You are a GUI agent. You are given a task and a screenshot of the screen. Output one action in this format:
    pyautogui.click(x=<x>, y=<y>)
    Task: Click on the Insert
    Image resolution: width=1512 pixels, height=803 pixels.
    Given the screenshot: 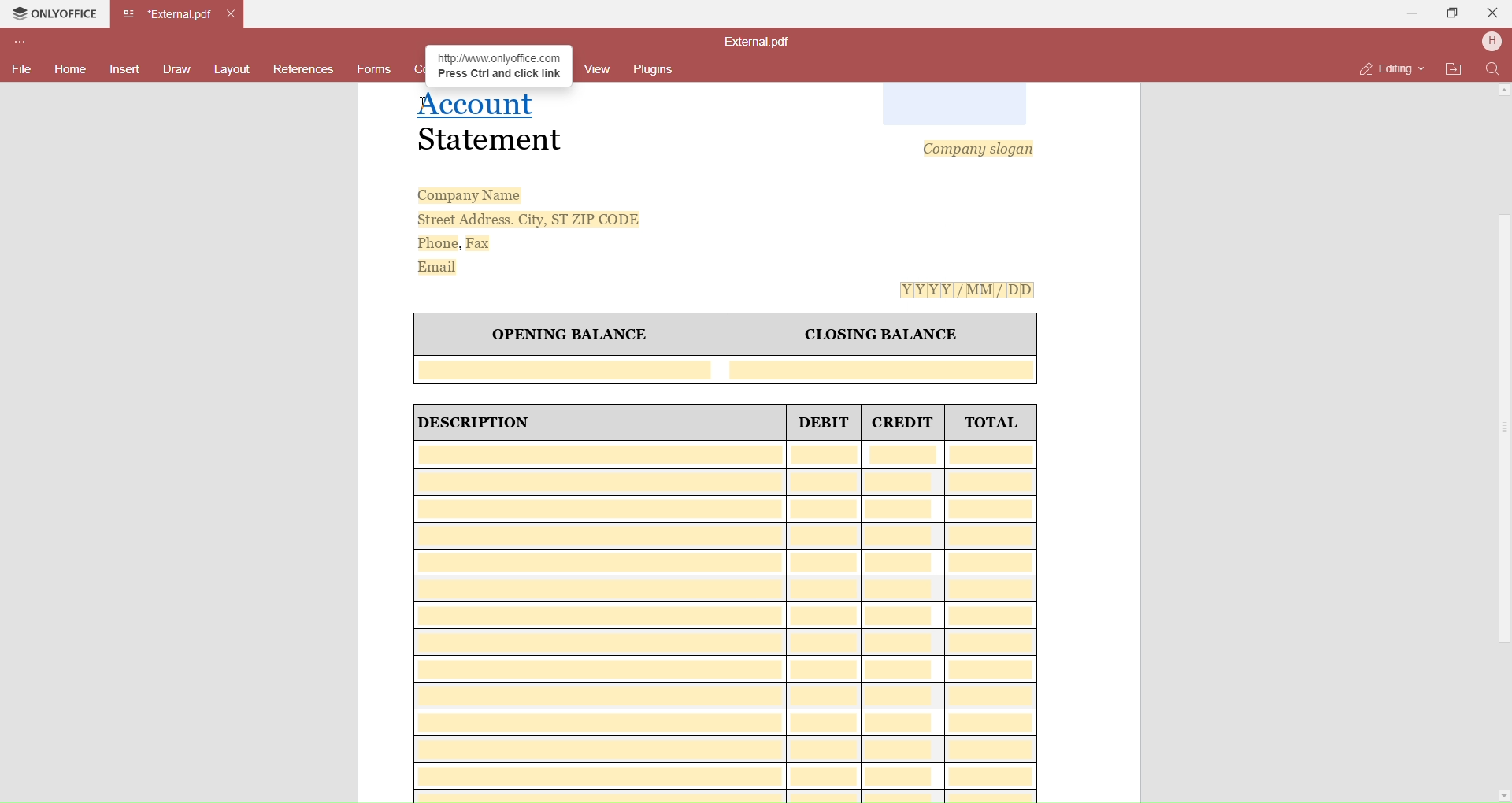 What is the action you would take?
    pyautogui.click(x=127, y=69)
    